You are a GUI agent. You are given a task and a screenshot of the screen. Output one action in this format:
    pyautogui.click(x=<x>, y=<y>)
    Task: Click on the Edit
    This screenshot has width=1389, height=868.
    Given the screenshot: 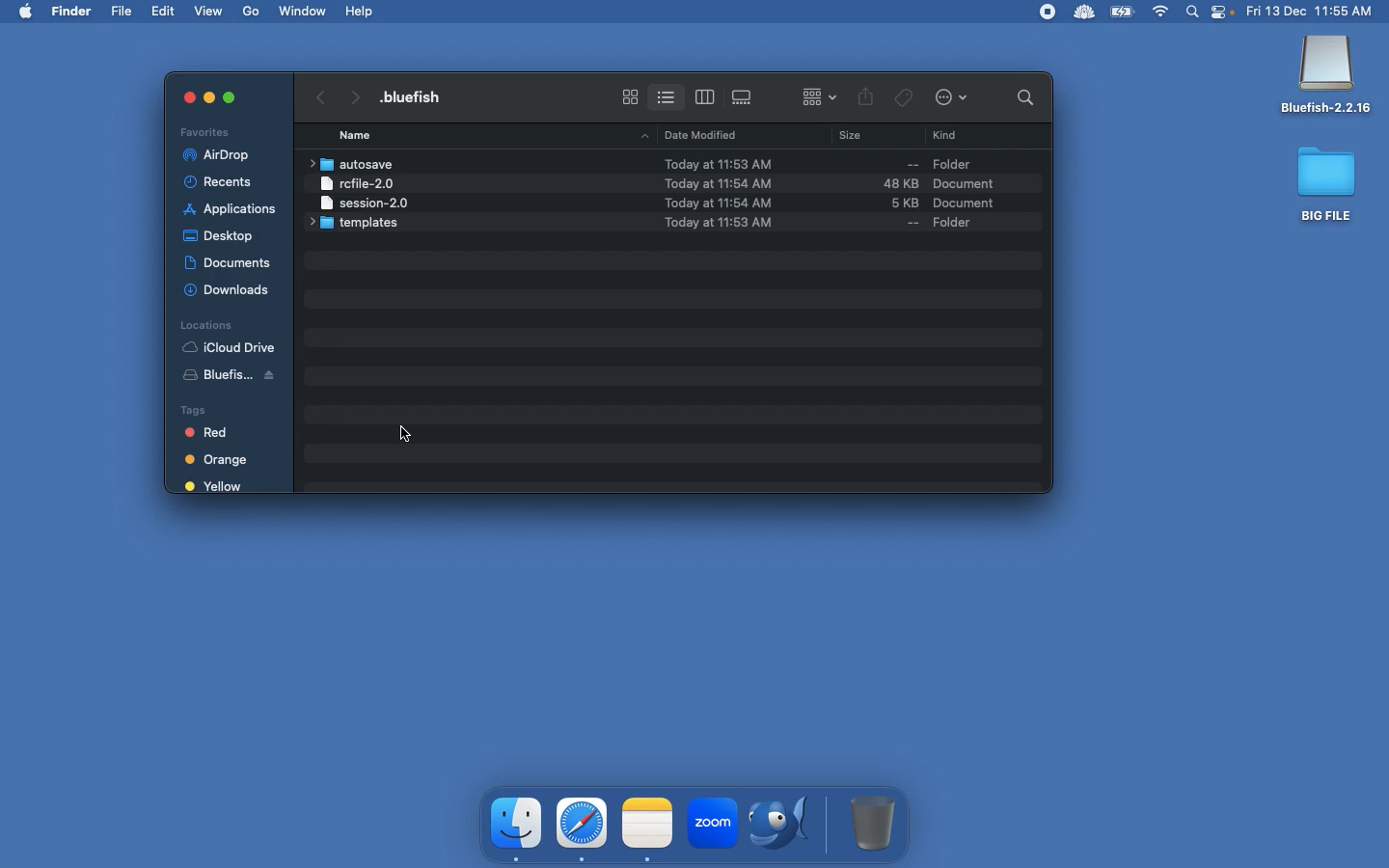 What is the action you would take?
    pyautogui.click(x=165, y=11)
    